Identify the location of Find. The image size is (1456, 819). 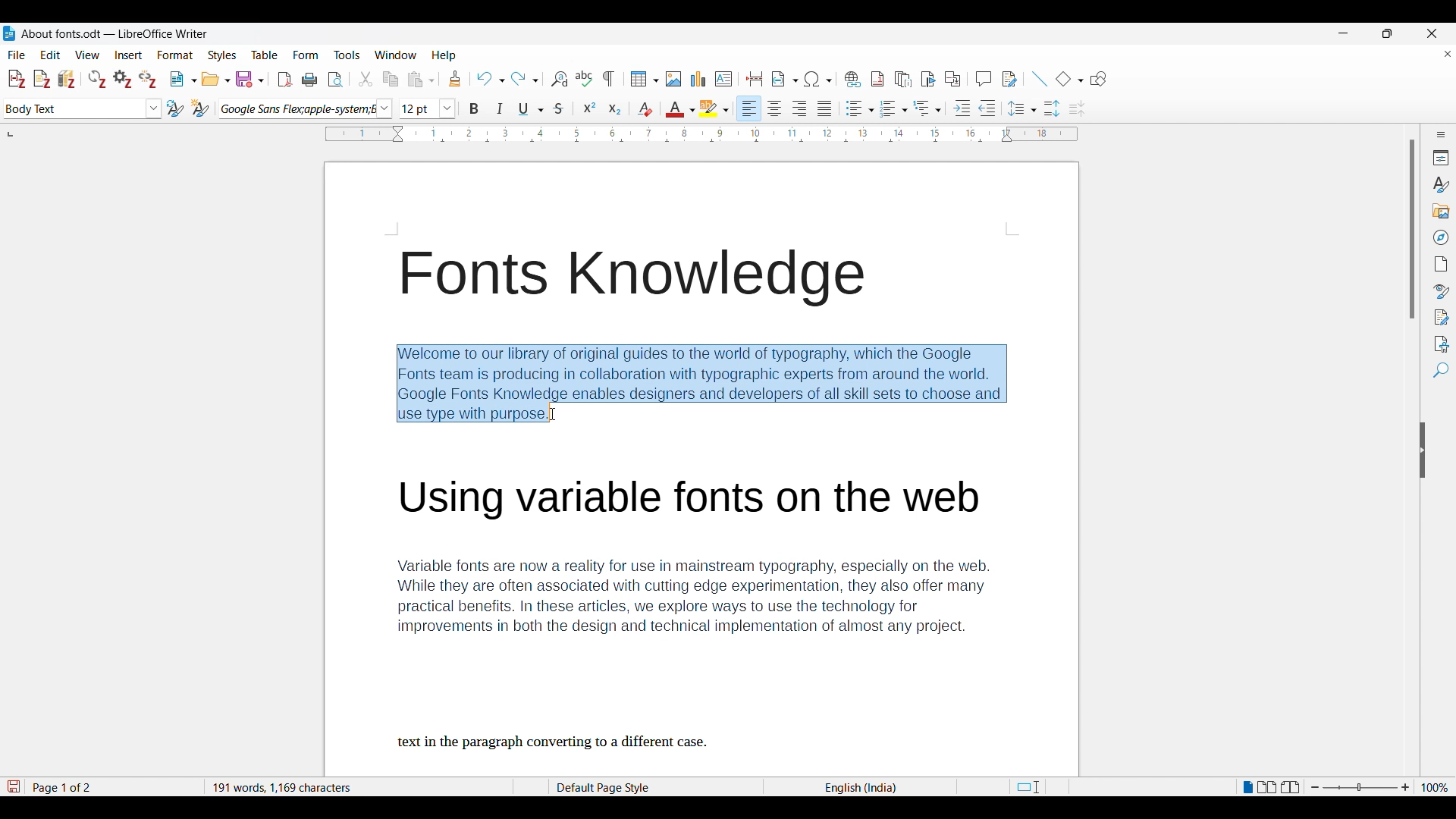
(1441, 370).